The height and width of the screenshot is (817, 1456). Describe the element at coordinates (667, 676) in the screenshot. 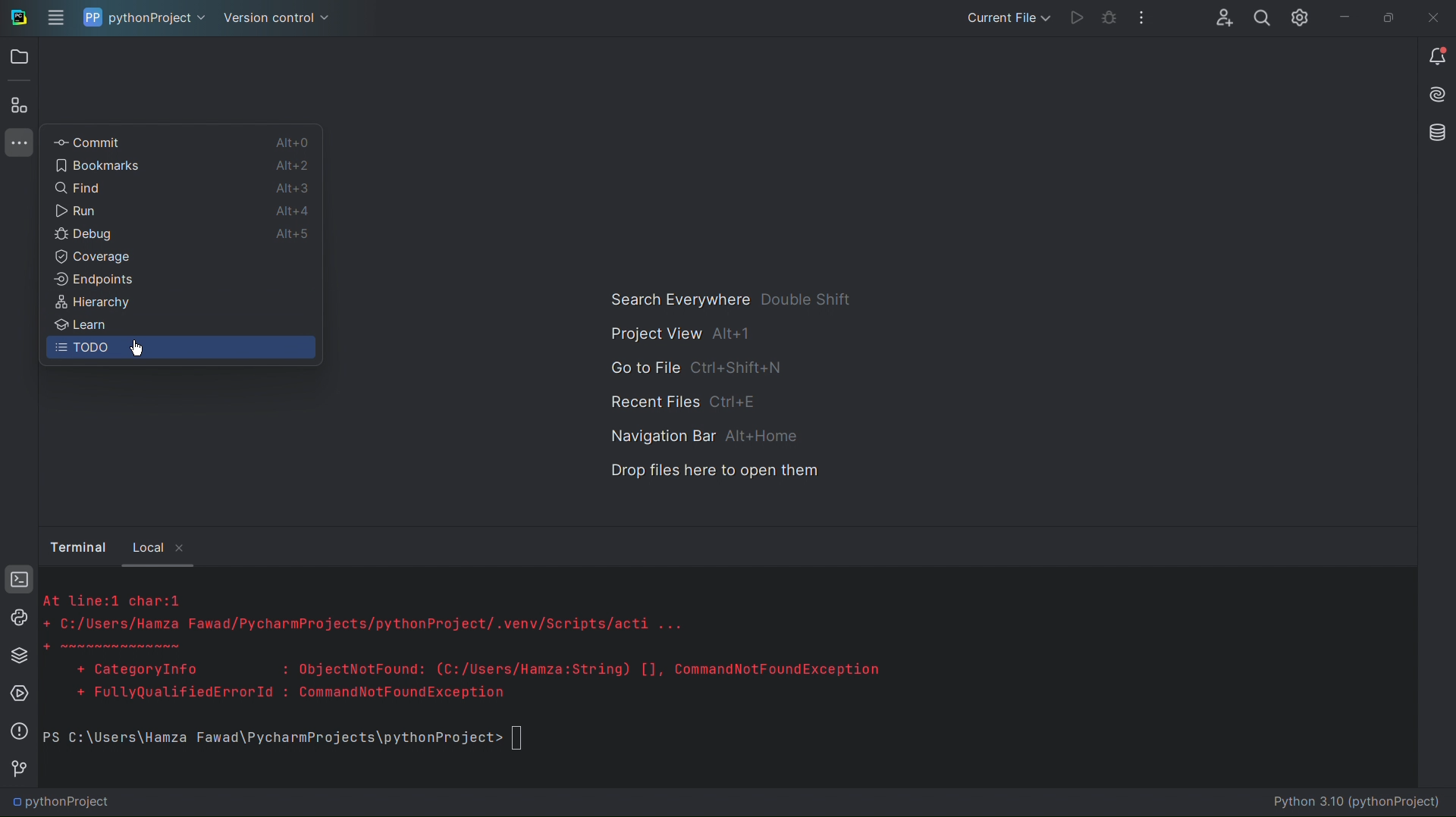

I see `At line:1 char:1 +C:/Users/Hanza Fawad/PycharnProjects/python Project/.venv/Scripts/acti... + CategoryInfo : ObjectNotFound: (C:/Users/Hanza: String) [], ConnandNotFoundException + FullyQualifiedErrorId: Command NotFoundException PS C:\Users\Hamza Fawad\Pychar Projects\pythonProject>` at that location.